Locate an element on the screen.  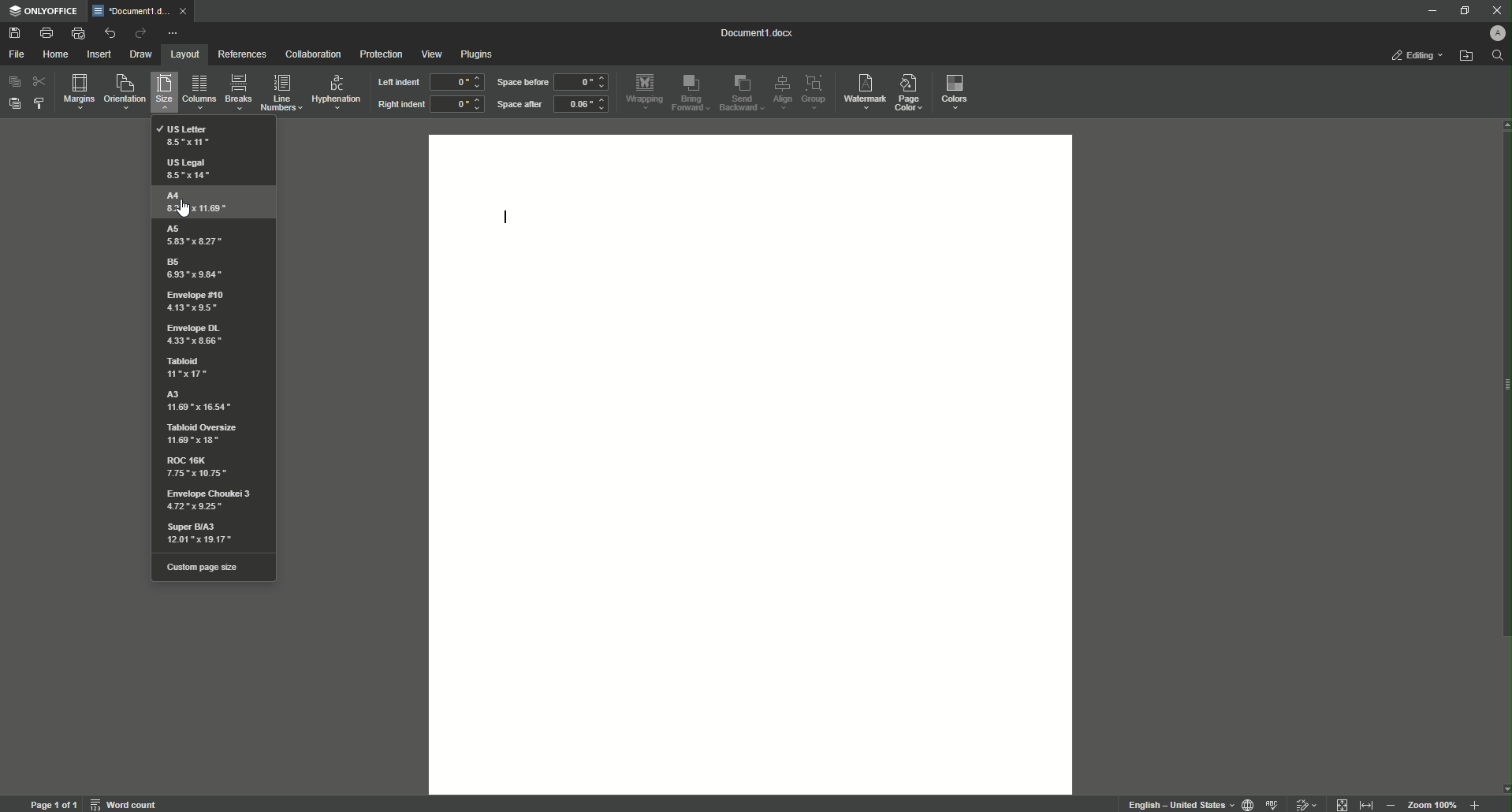
0 is located at coordinates (457, 106).